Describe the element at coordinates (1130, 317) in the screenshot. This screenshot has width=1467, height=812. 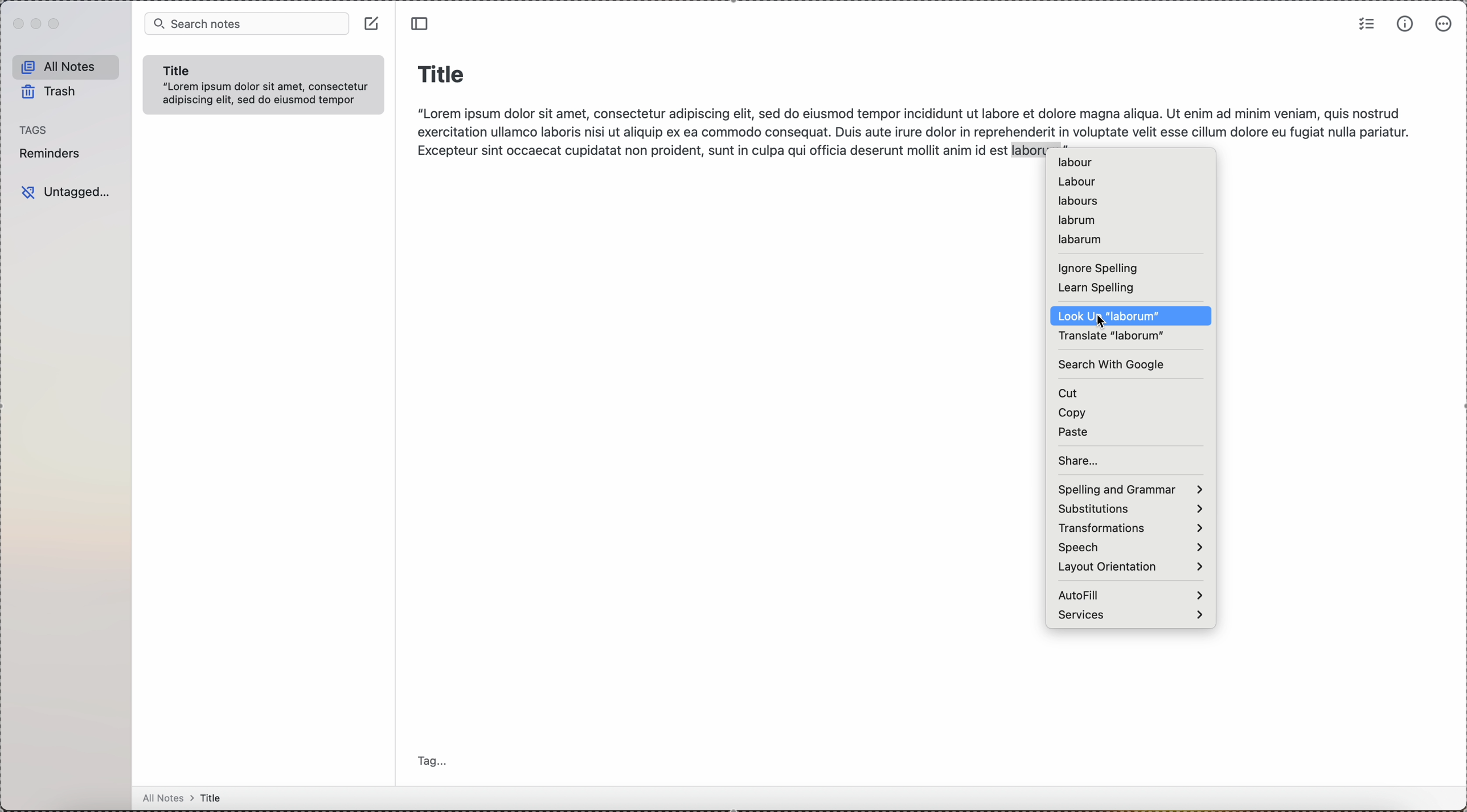
I see `click on look up` at that location.